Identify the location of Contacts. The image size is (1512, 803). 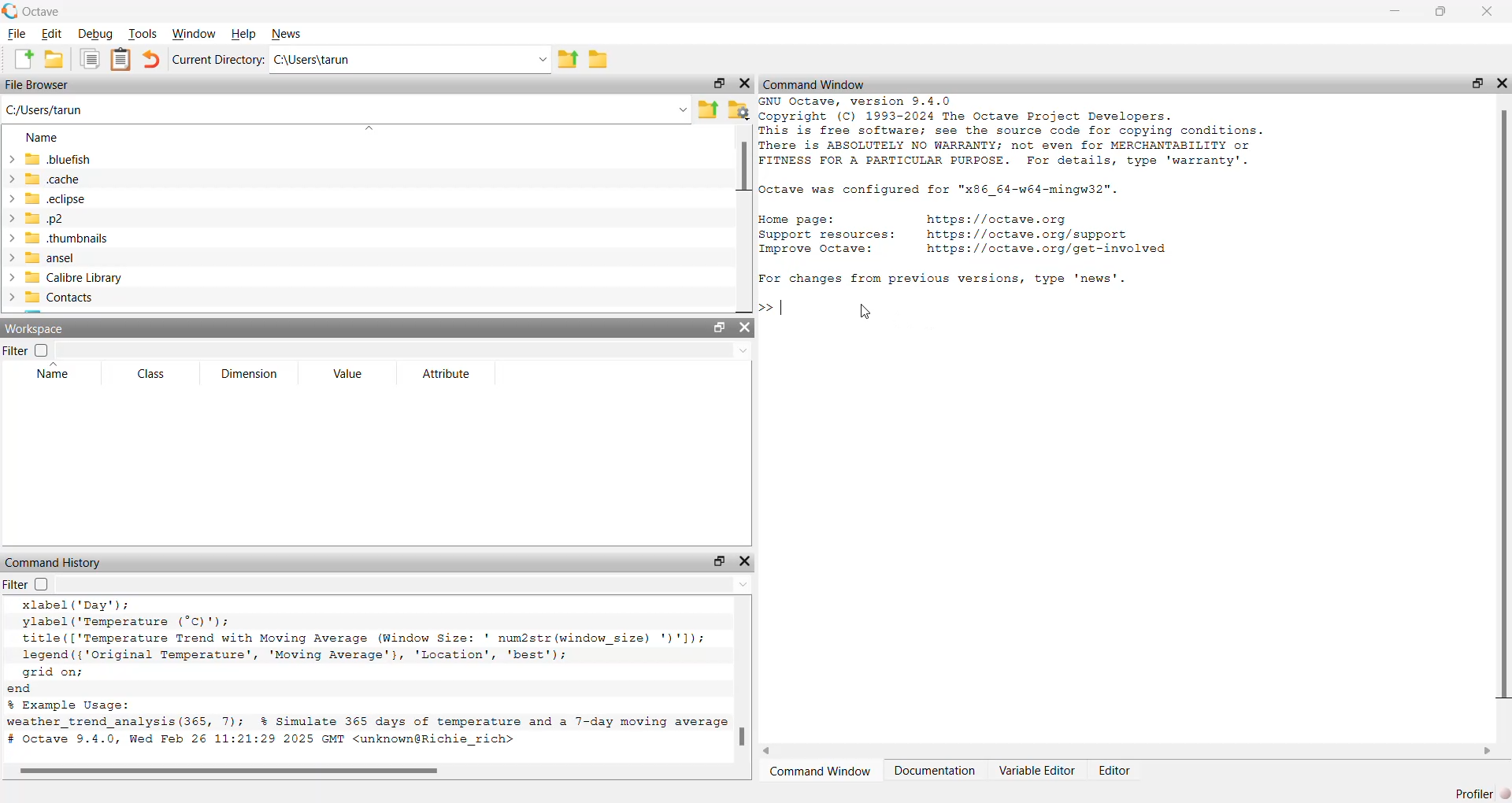
(54, 296).